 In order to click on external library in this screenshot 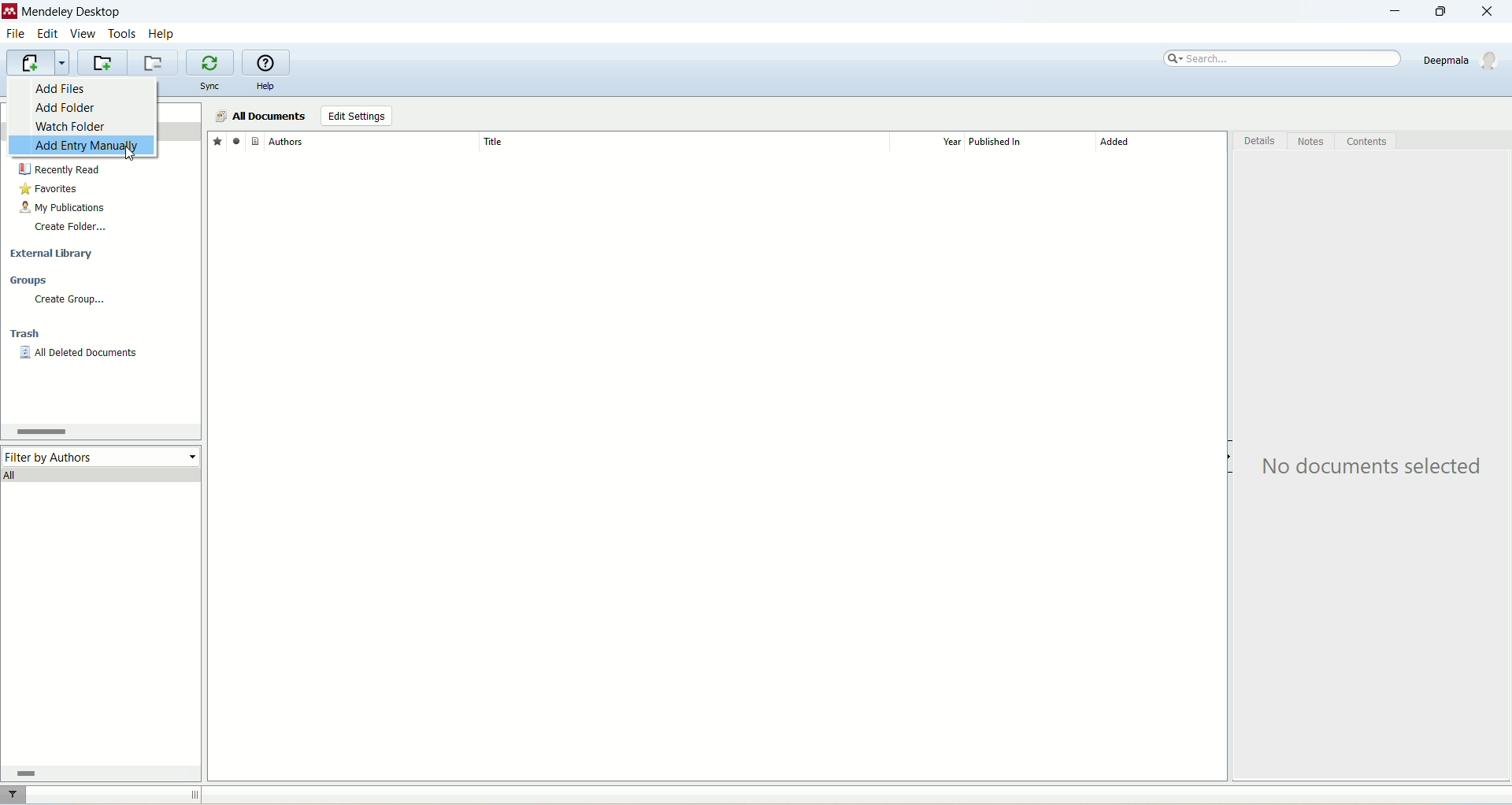, I will do `click(54, 254)`.